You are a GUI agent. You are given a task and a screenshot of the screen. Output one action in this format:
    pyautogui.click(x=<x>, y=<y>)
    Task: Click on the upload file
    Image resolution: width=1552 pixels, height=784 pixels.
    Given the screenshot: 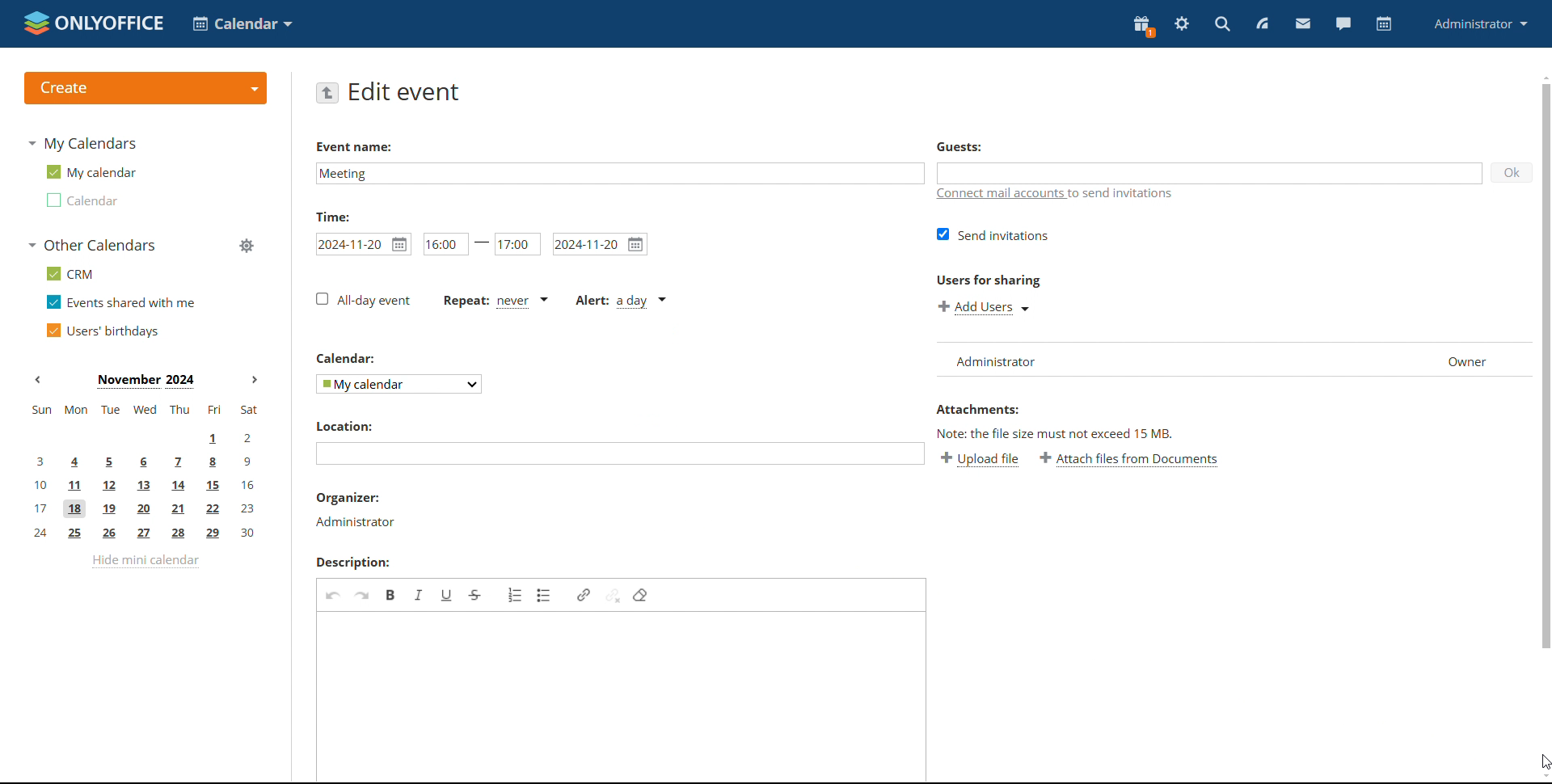 What is the action you would take?
    pyautogui.click(x=980, y=461)
    